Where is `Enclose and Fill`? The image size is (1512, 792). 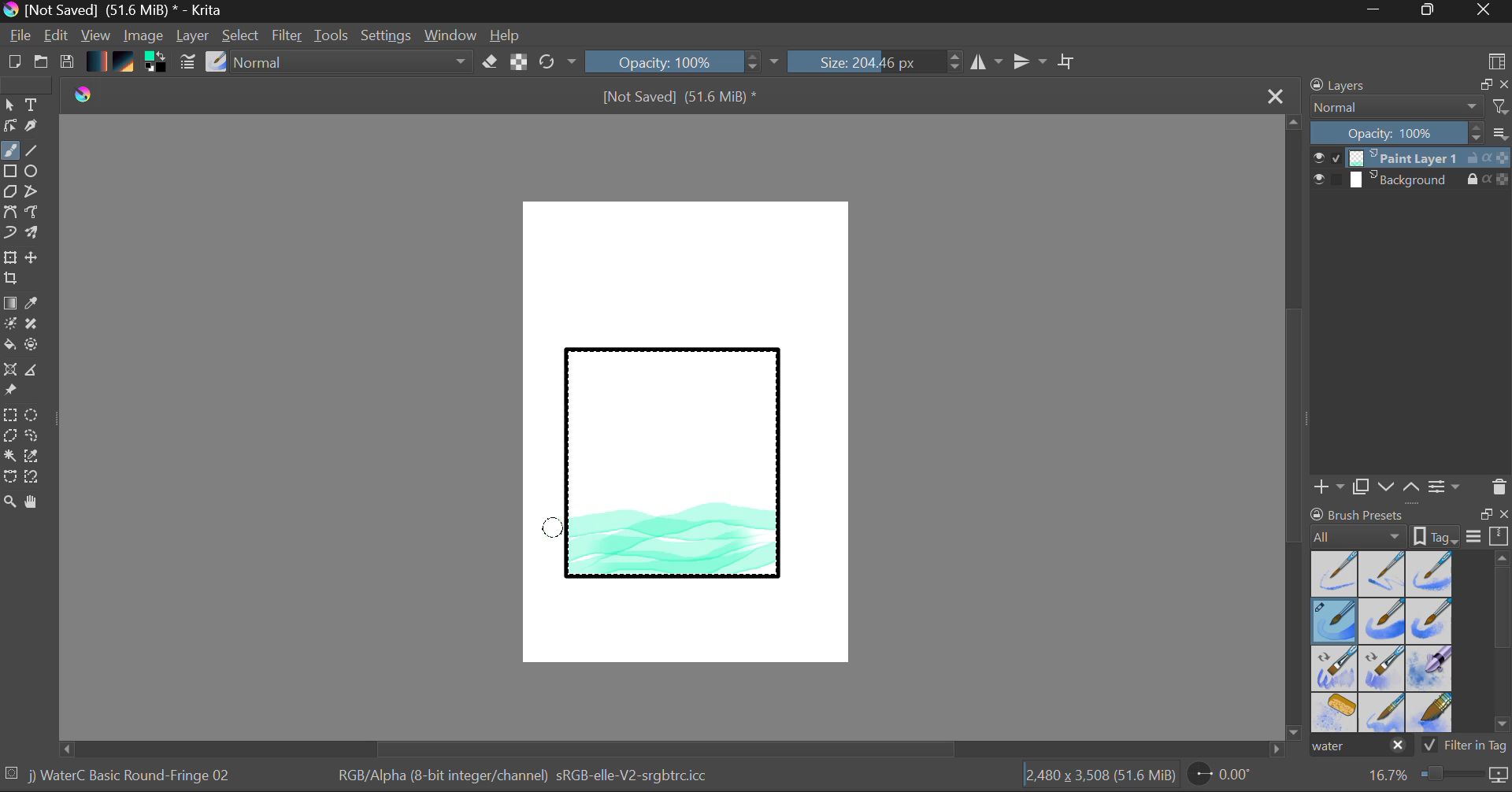 Enclose and Fill is located at coordinates (35, 346).